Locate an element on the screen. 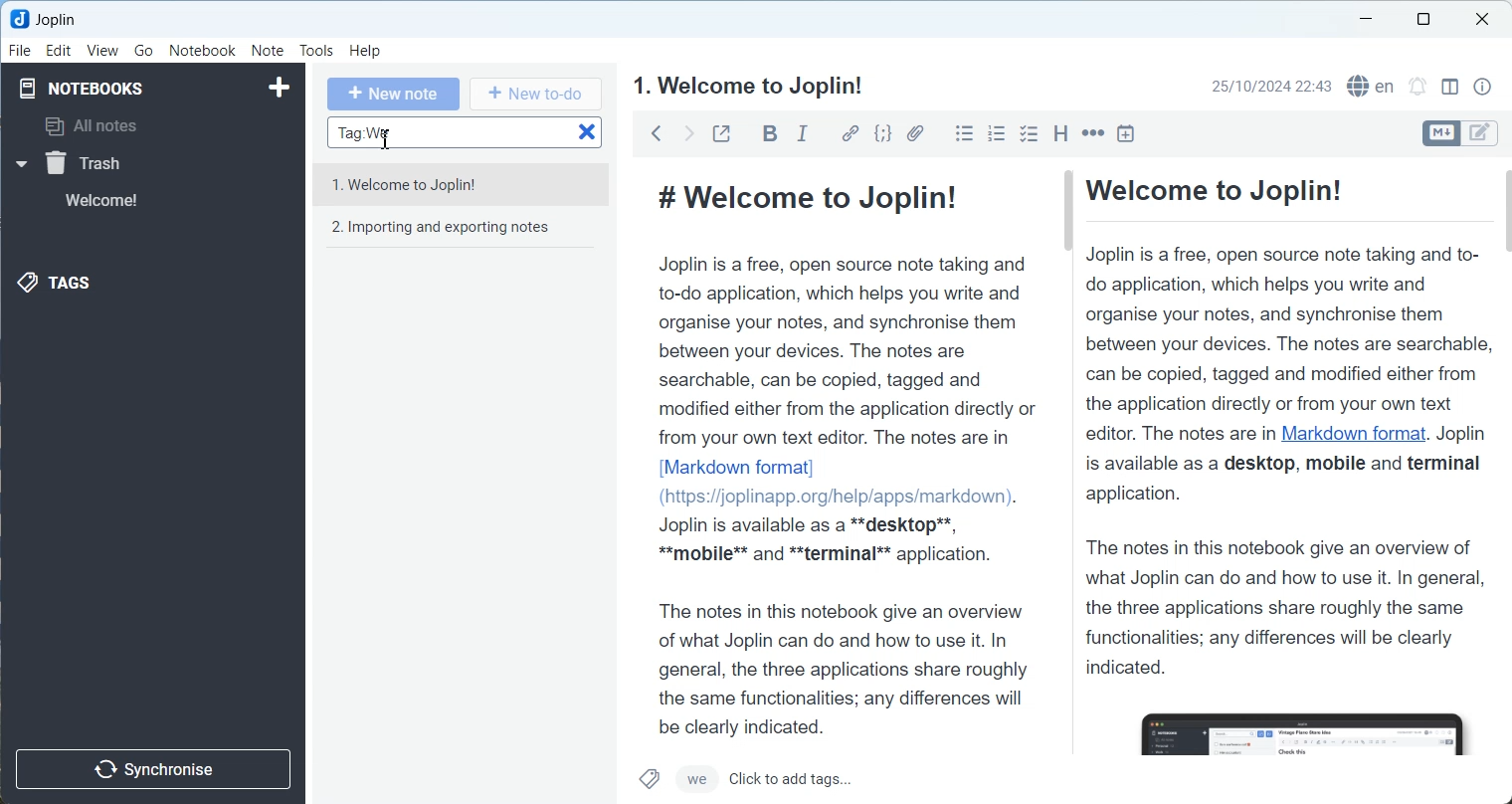 This screenshot has height=804, width=1512. New note is located at coordinates (394, 95).